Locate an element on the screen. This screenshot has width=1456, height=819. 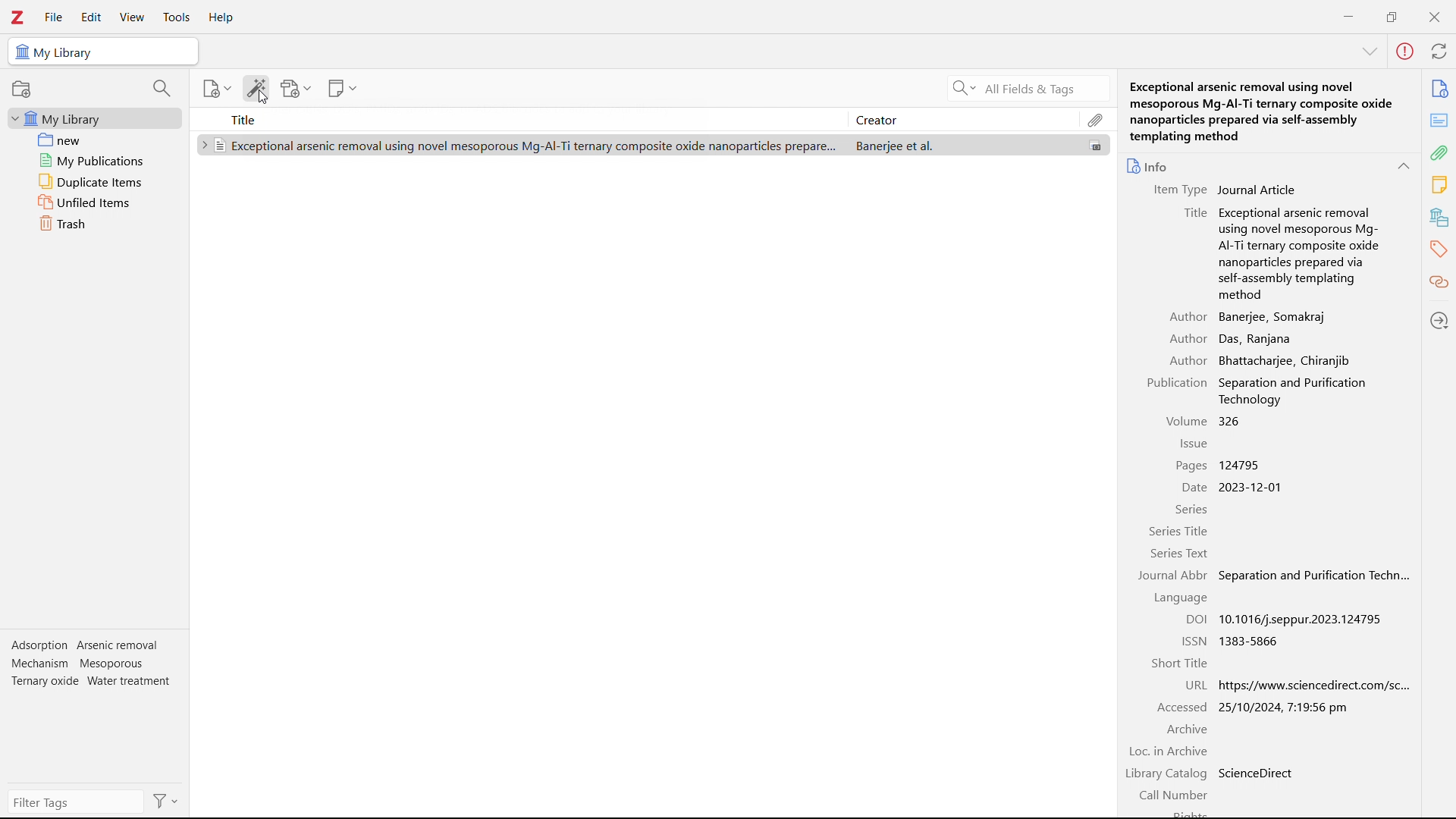
close is located at coordinates (1433, 17).